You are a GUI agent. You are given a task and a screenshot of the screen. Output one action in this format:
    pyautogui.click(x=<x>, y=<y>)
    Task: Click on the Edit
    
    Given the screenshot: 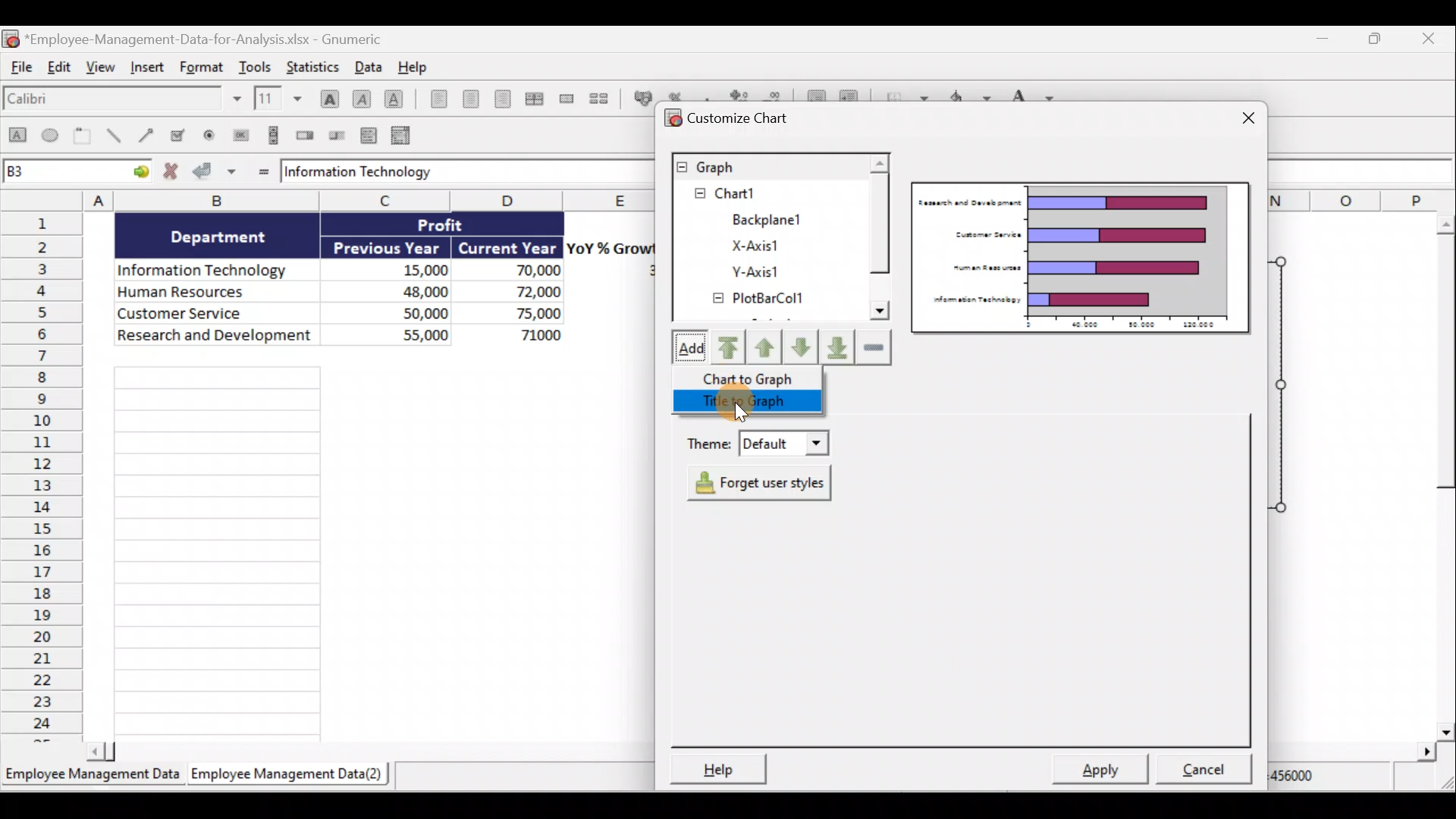 What is the action you would take?
    pyautogui.click(x=62, y=71)
    